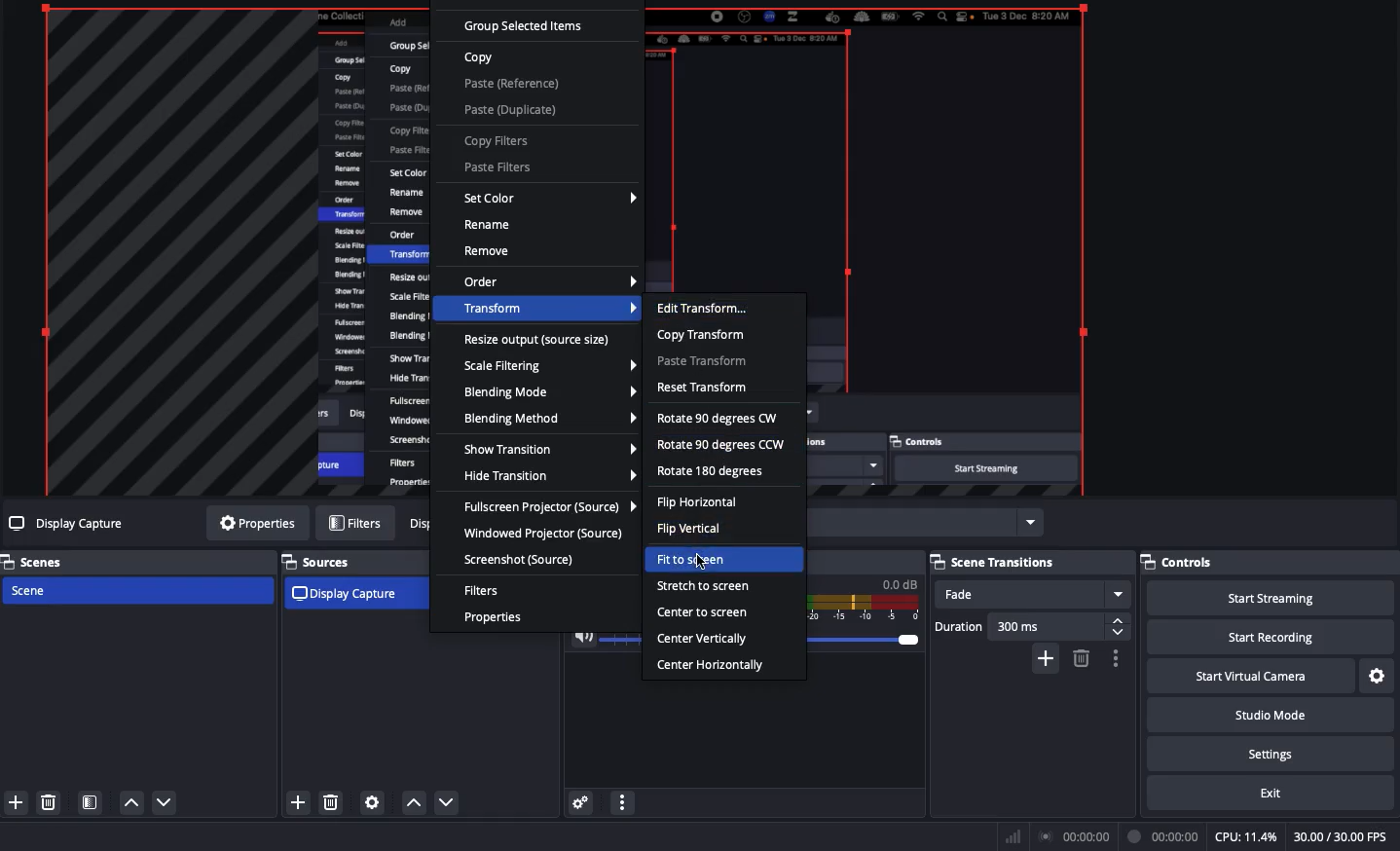 Image resolution: width=1400 pixels, height=851 pixels. Describe the element at coordinates (1120, 659) in the screenshot. I see `options` at that location.